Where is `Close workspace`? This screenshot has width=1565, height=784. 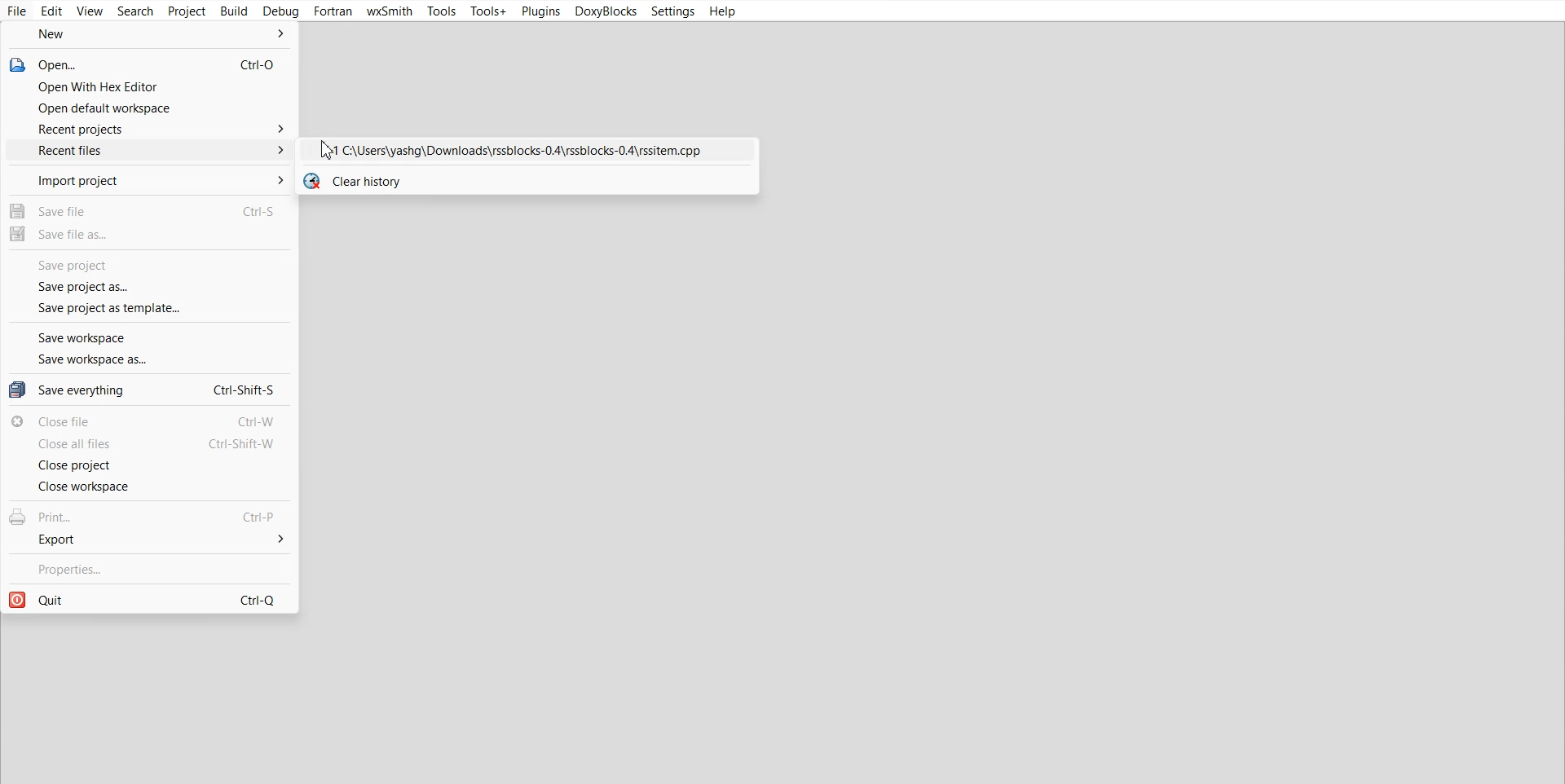
Close workspace is located at coordinates (148, 487).